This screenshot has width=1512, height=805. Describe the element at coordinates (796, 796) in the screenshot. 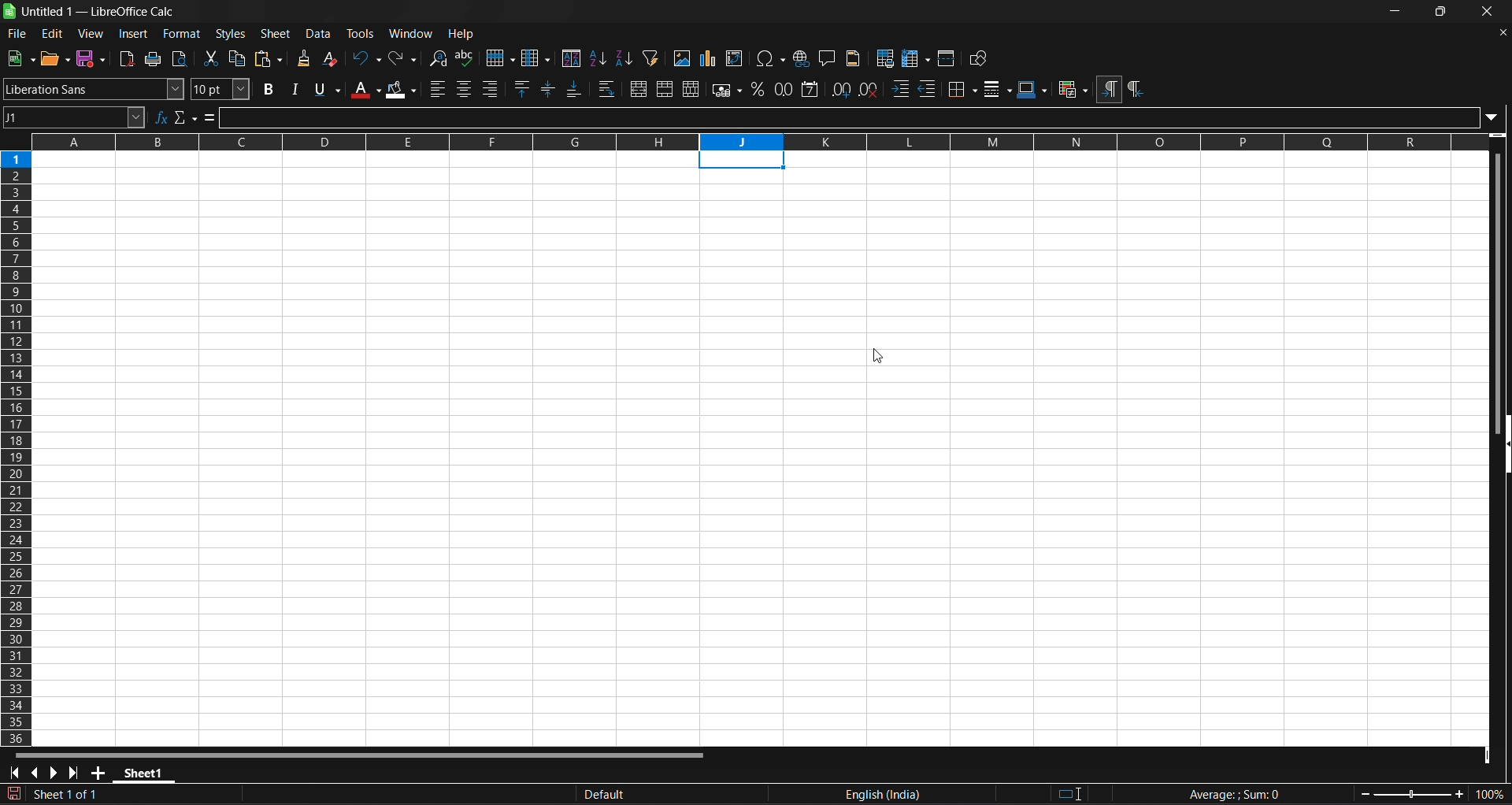

I see `text language` at that location.